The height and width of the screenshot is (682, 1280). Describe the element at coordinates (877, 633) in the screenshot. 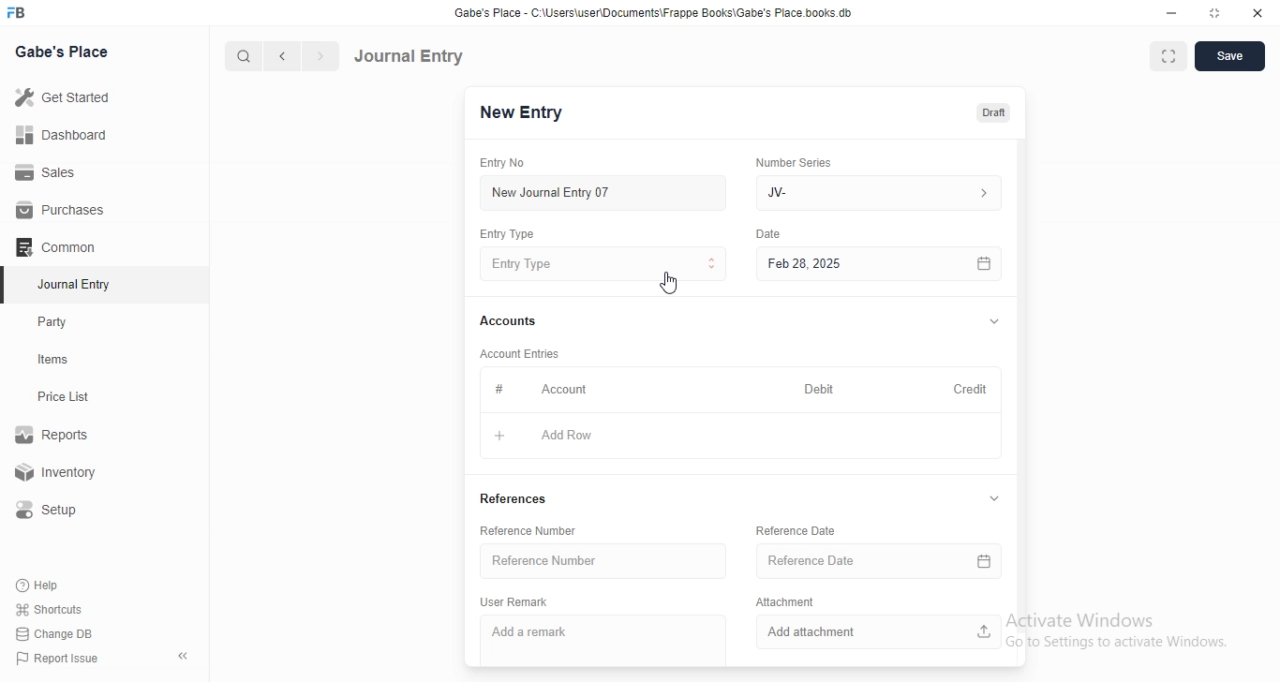

I see `Add attachment` at that location.